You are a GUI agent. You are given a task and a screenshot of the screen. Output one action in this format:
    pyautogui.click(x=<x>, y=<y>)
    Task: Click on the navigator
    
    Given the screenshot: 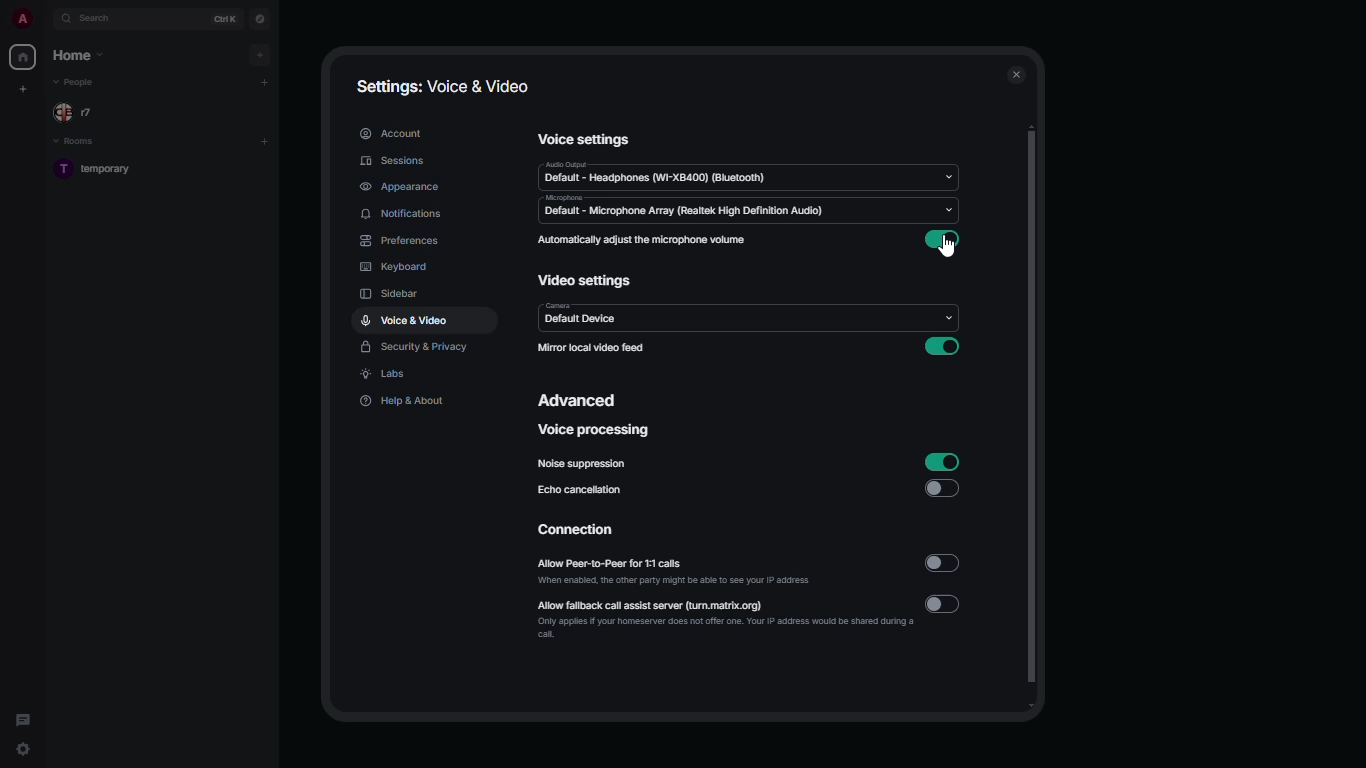 What is the action you would take?
    pyautogui.click(x=261, y=21)
    